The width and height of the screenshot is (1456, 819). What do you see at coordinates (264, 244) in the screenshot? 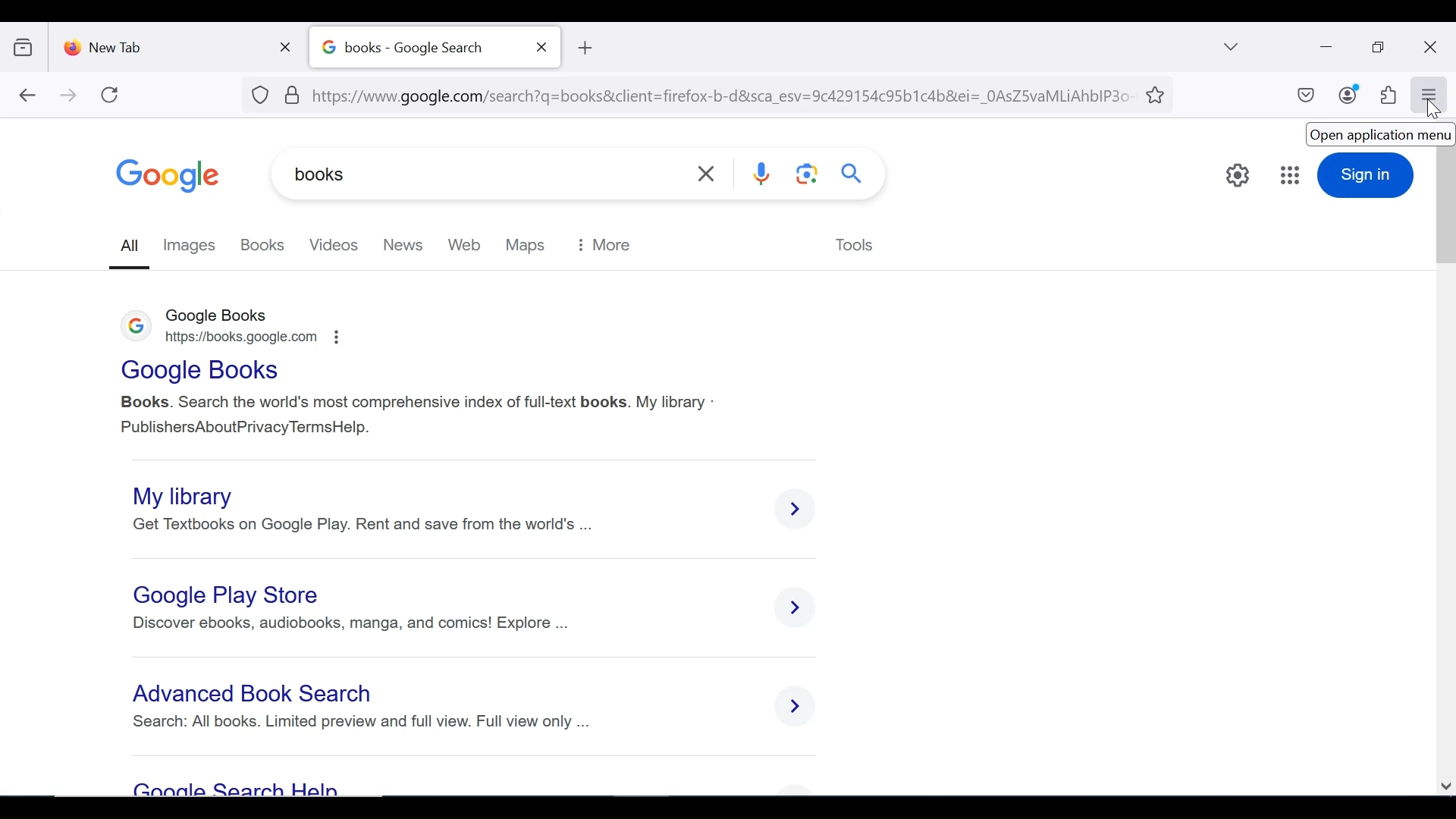
I see `books` at bounding box center [264, 244].